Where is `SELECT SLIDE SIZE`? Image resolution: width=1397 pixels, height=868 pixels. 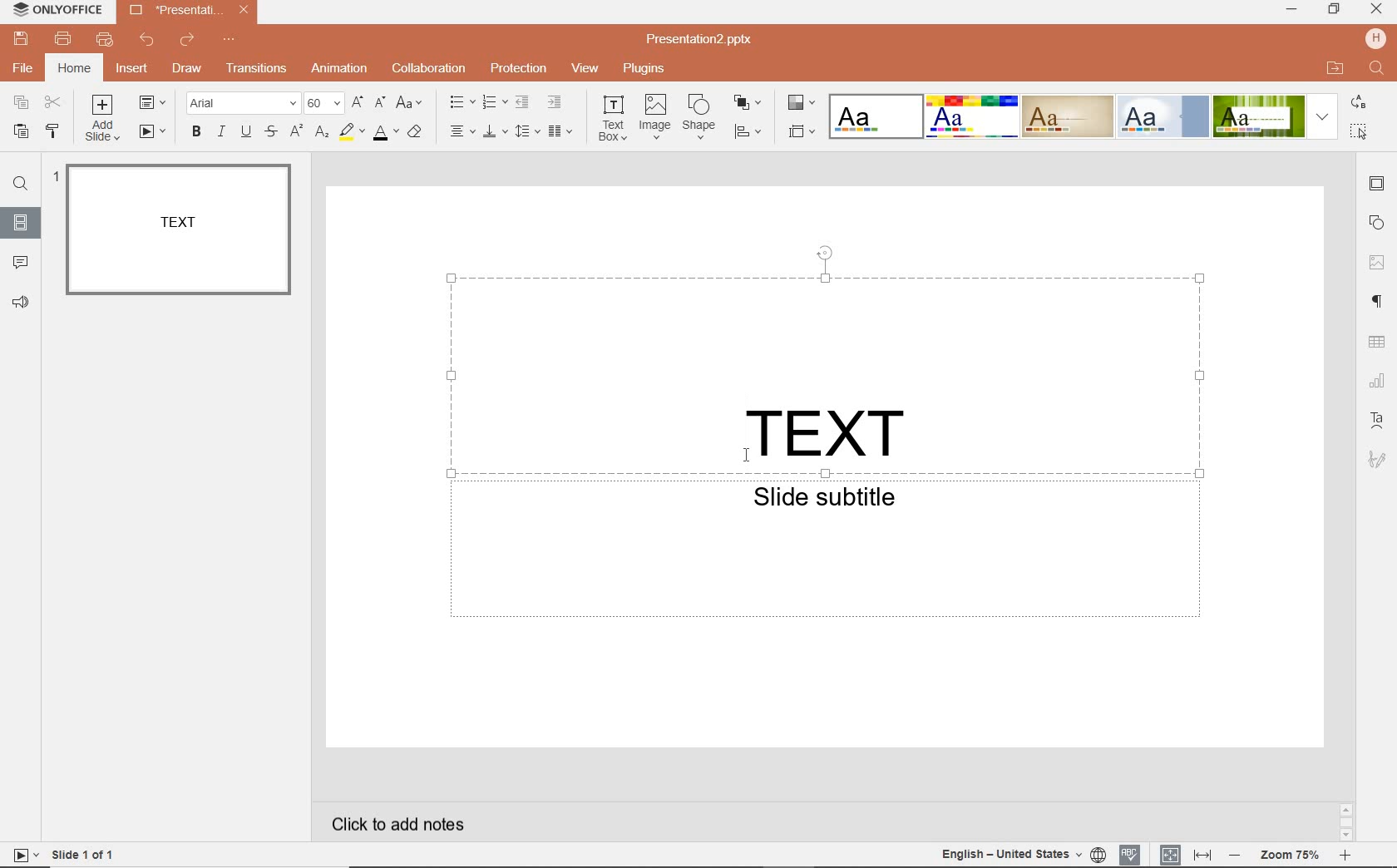
SELECT SLIDE SIZE is located at coordinates (802, 131).